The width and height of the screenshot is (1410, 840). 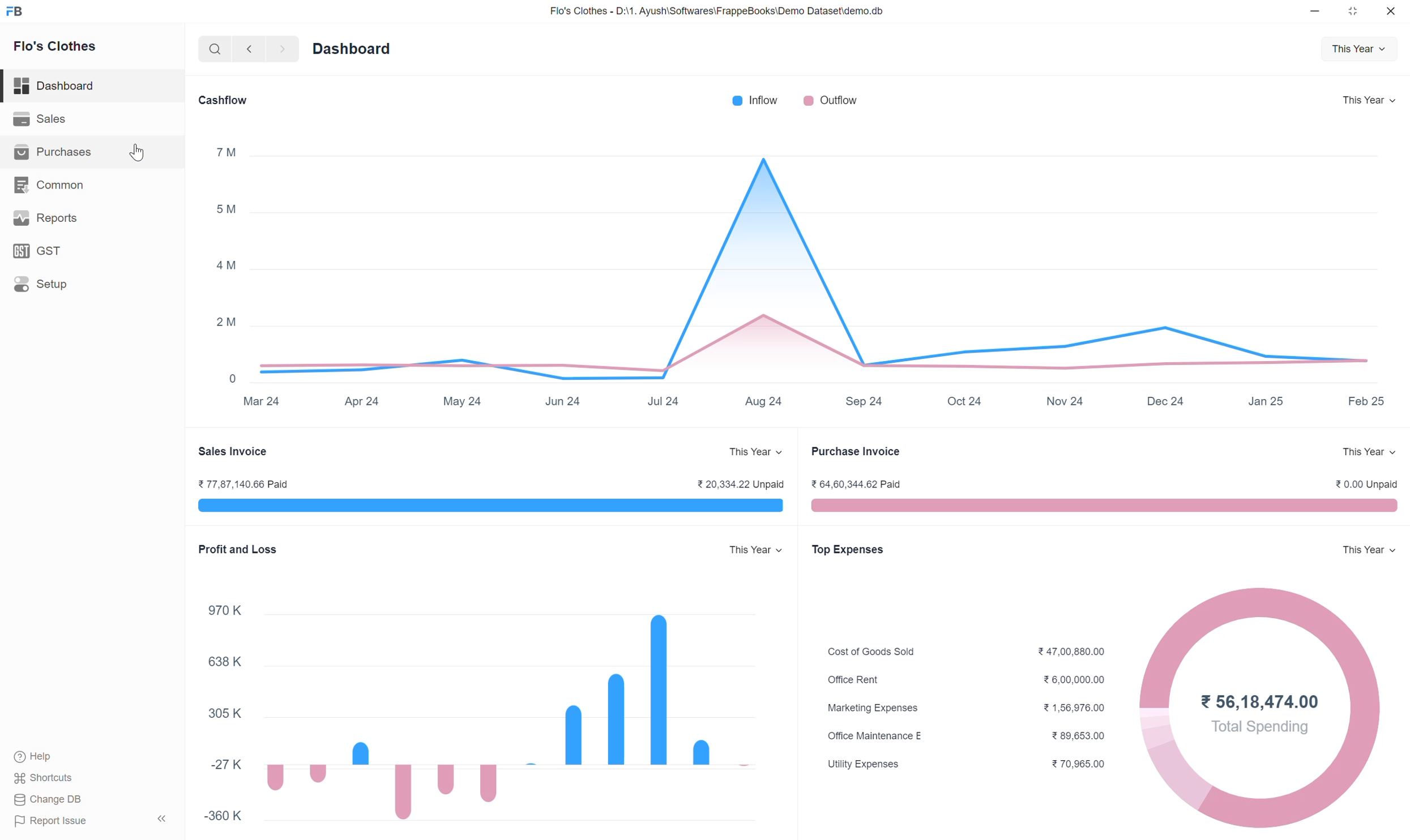 I want to click on This Year, so click(x=1360, y=49).